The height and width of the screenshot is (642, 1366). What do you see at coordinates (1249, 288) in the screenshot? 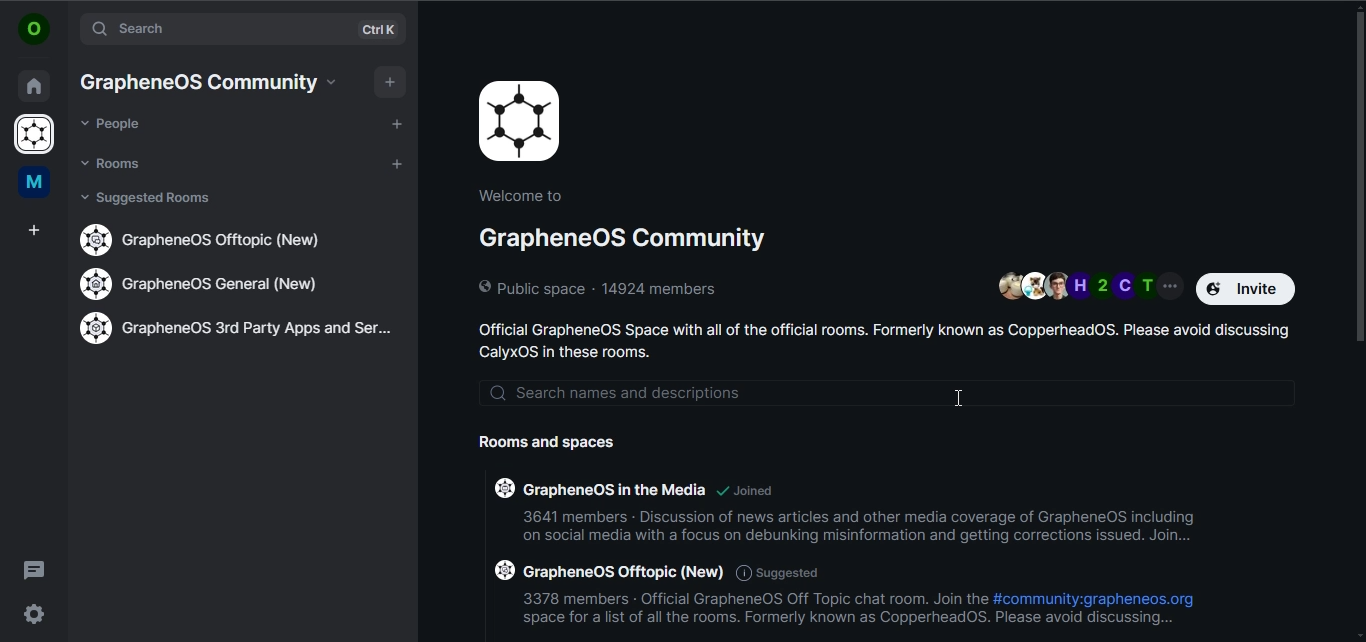
I see `invite` at bounding box center [1249, 288].